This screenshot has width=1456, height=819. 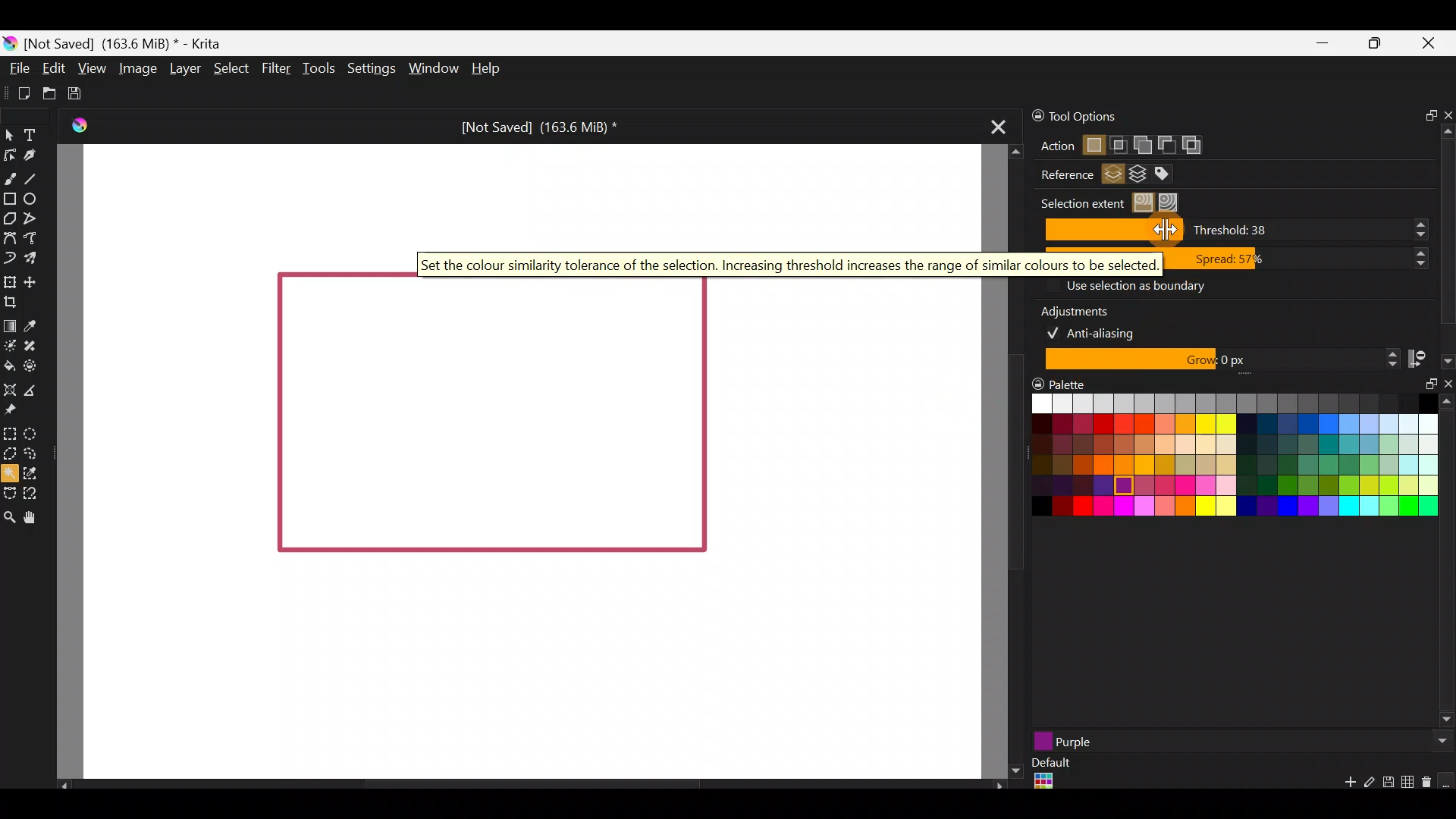 I want to click on Palette, so click(x=1061, y=383).